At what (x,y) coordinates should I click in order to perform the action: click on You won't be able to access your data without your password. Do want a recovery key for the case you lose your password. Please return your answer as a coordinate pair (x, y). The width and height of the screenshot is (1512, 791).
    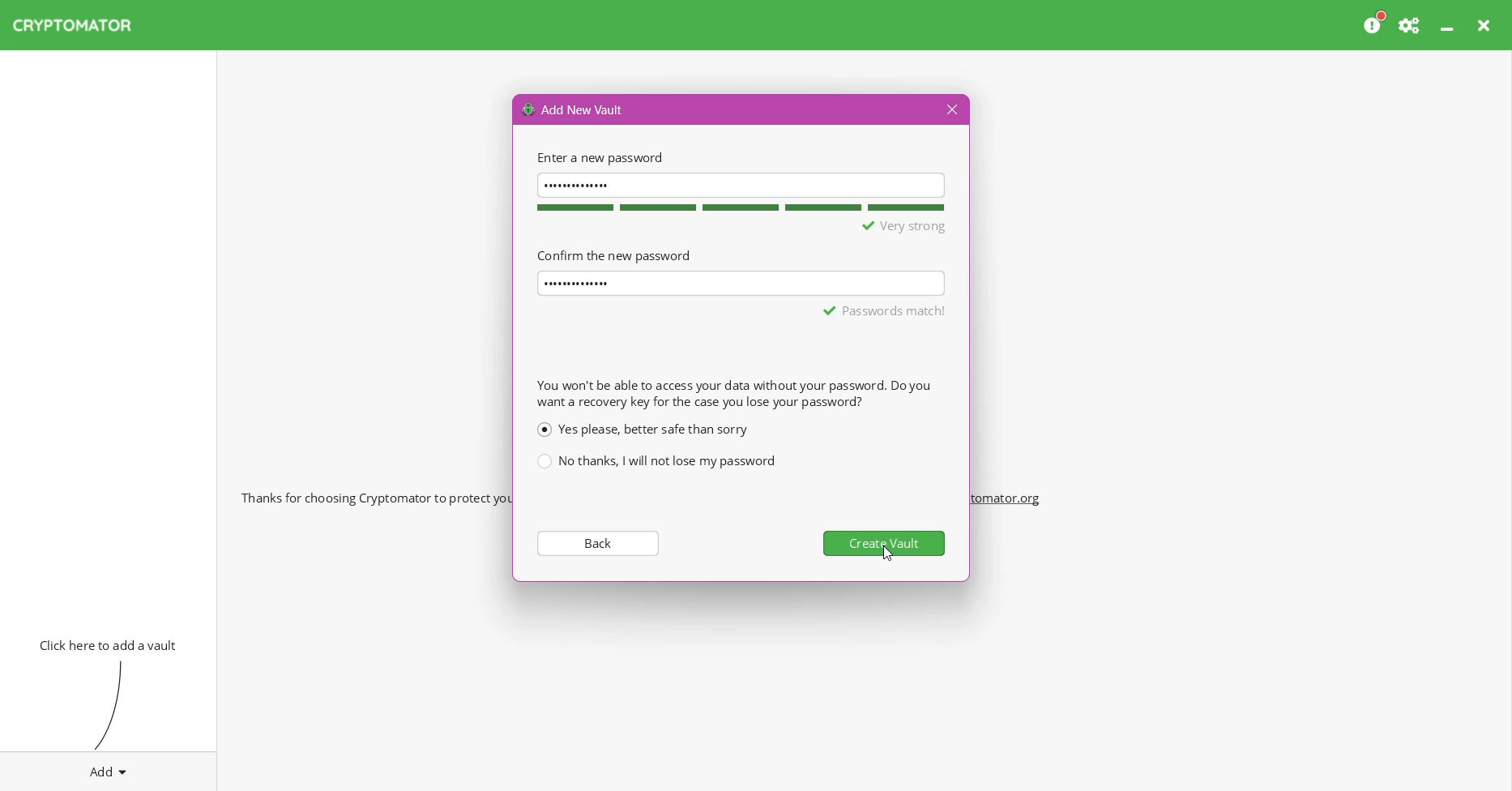
    Looking at the image, I should click on (733, 393).